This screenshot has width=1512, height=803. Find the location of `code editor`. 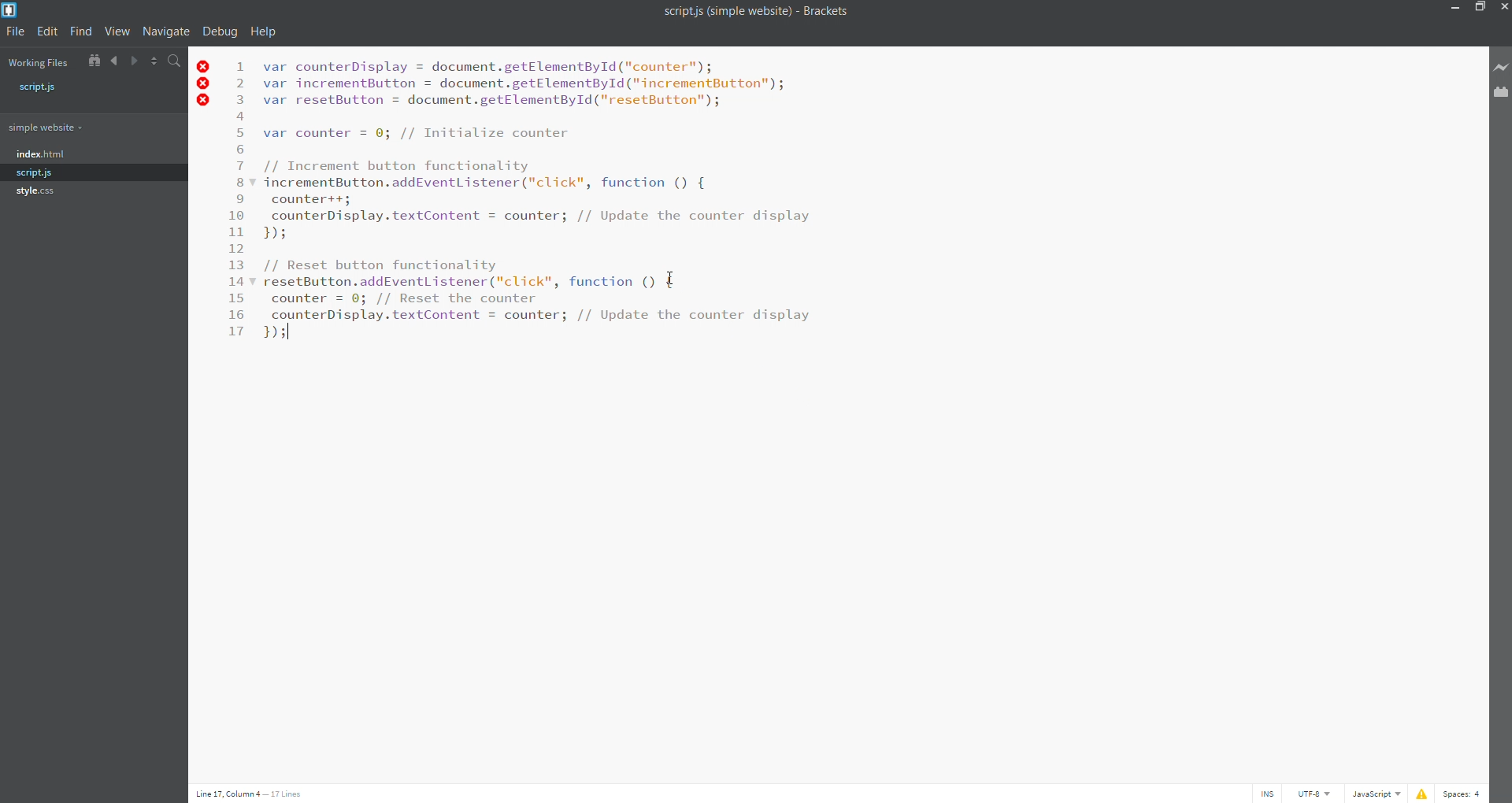

code editor is located at coordinates (564, 205).